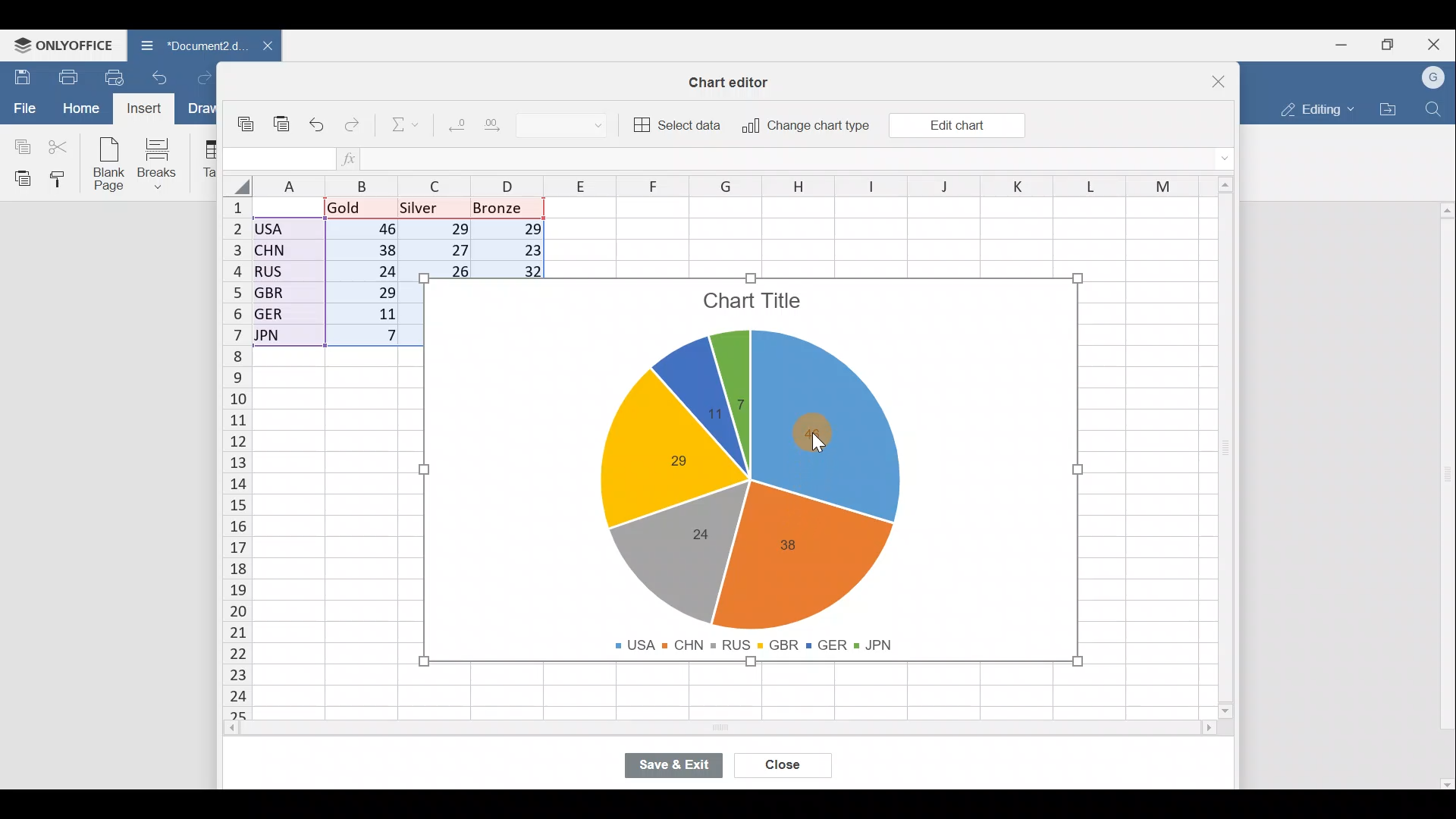 This screenshot has height=819, width=1456. I want to click on File, so click(23, 107).